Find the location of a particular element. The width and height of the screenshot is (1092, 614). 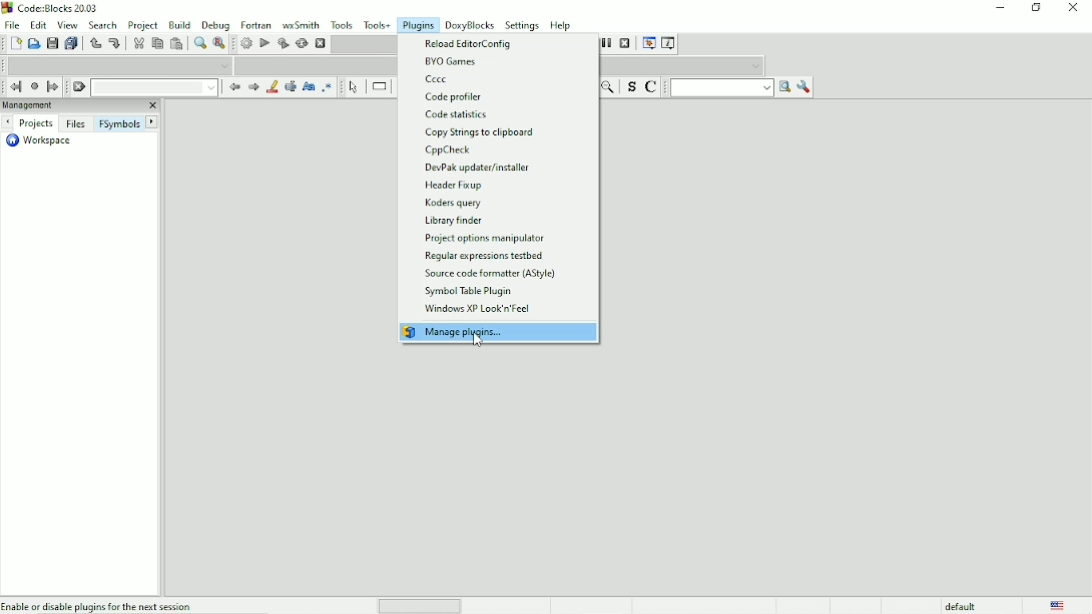

Header fixup is located at coordinates (453, 185).